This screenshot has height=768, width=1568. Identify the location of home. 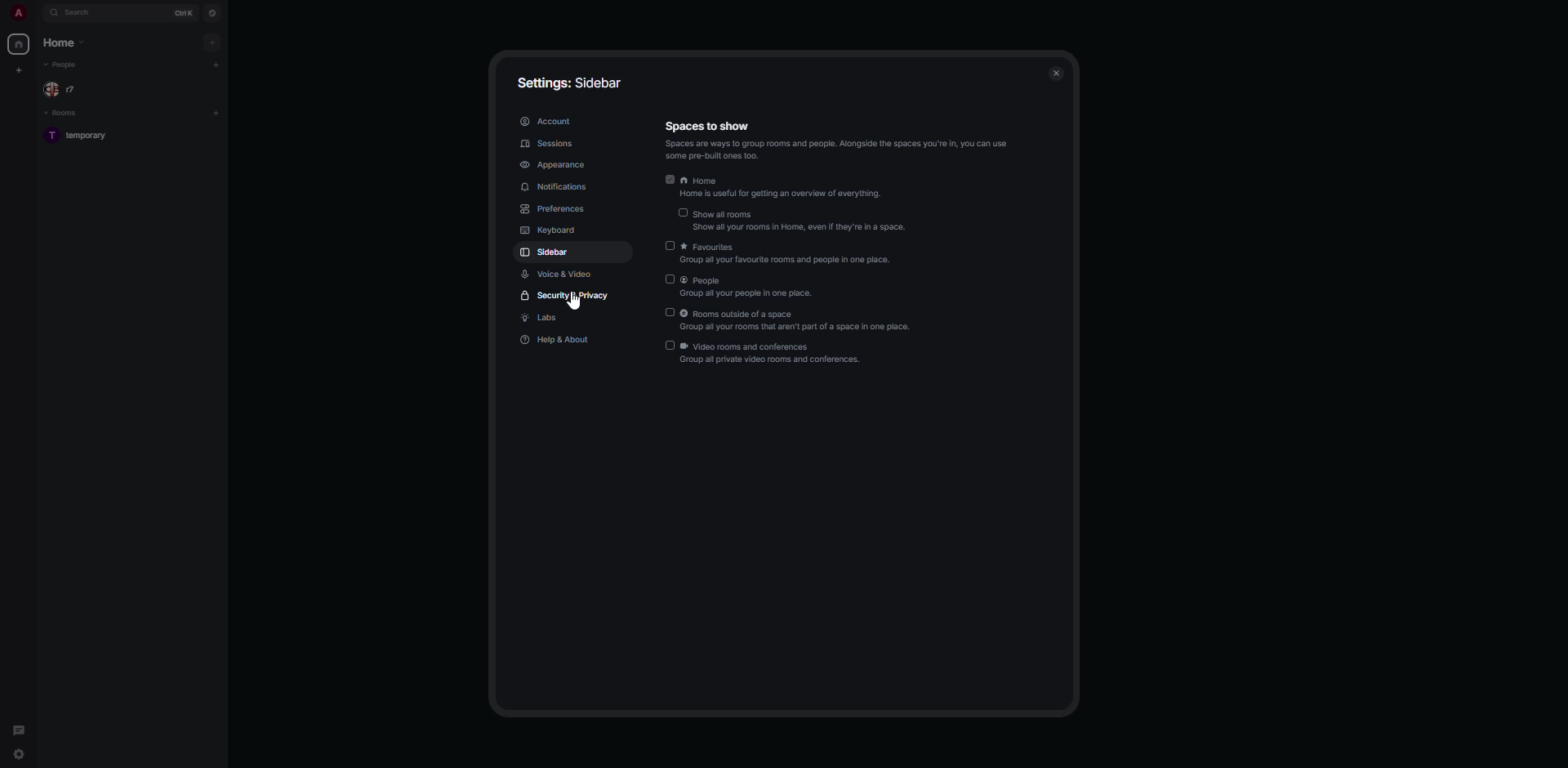
(20, 44).